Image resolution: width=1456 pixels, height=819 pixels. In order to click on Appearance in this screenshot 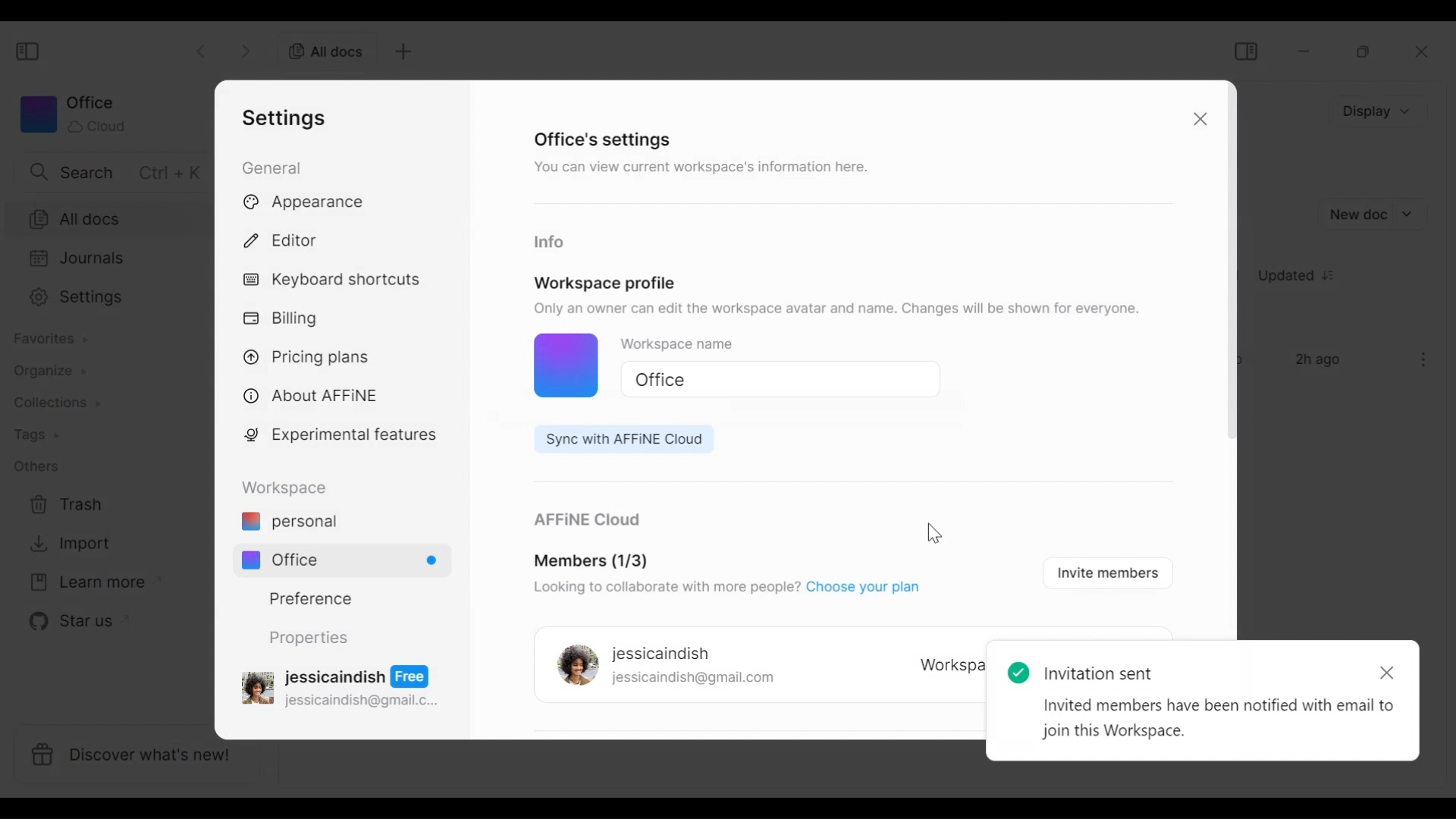, I will do `click(309, 203)`.